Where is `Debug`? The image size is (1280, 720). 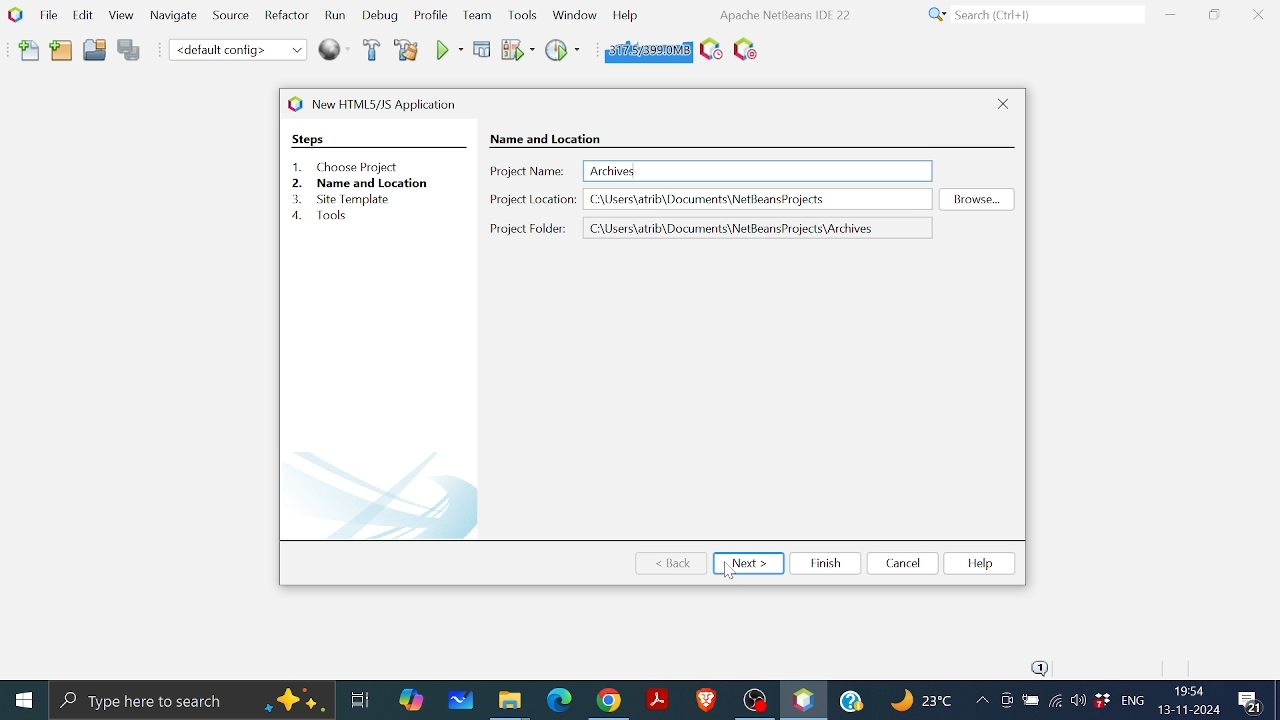 Debug is located at coordinates (483, 49).